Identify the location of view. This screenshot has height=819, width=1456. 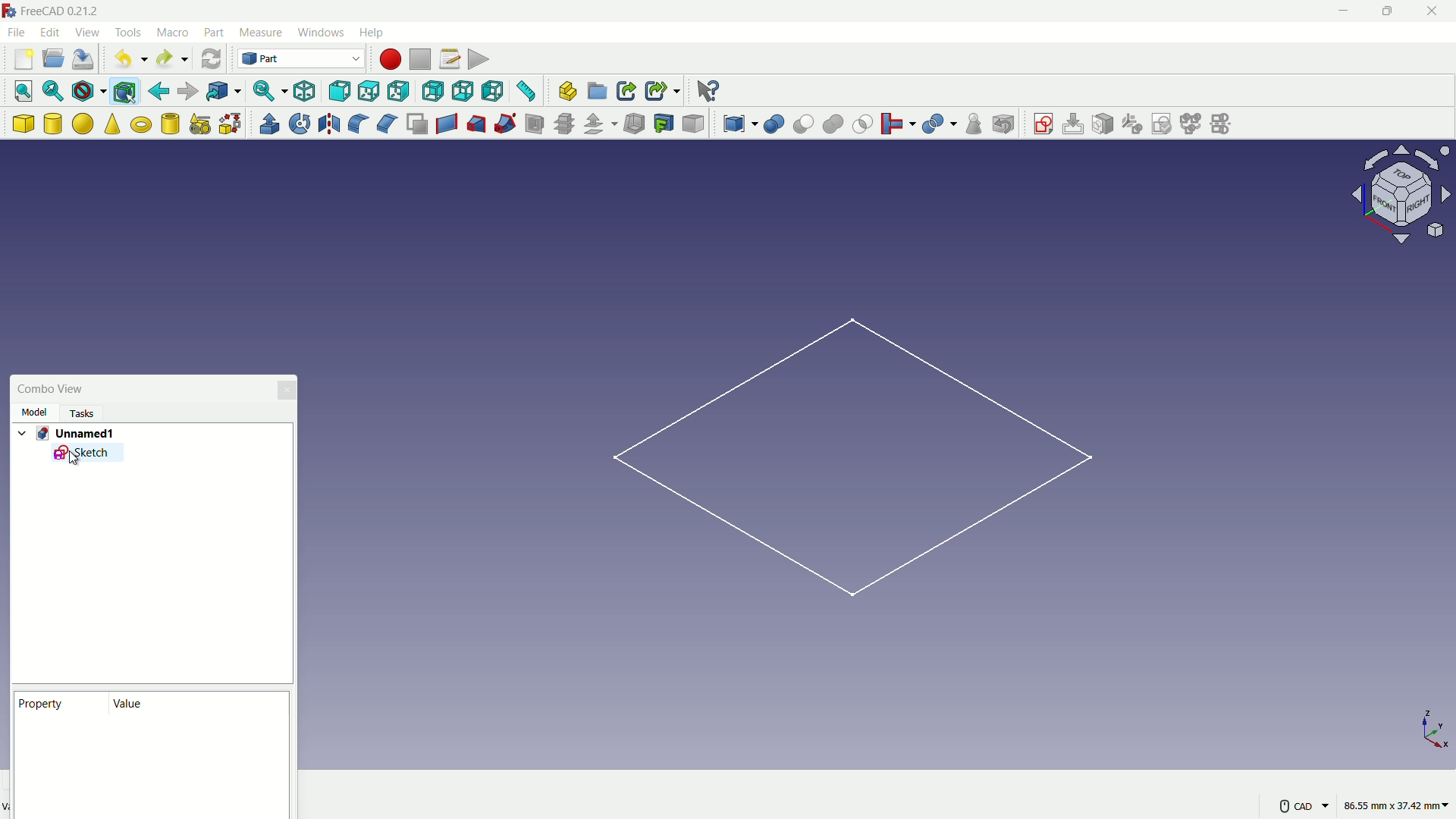
(86, 30).